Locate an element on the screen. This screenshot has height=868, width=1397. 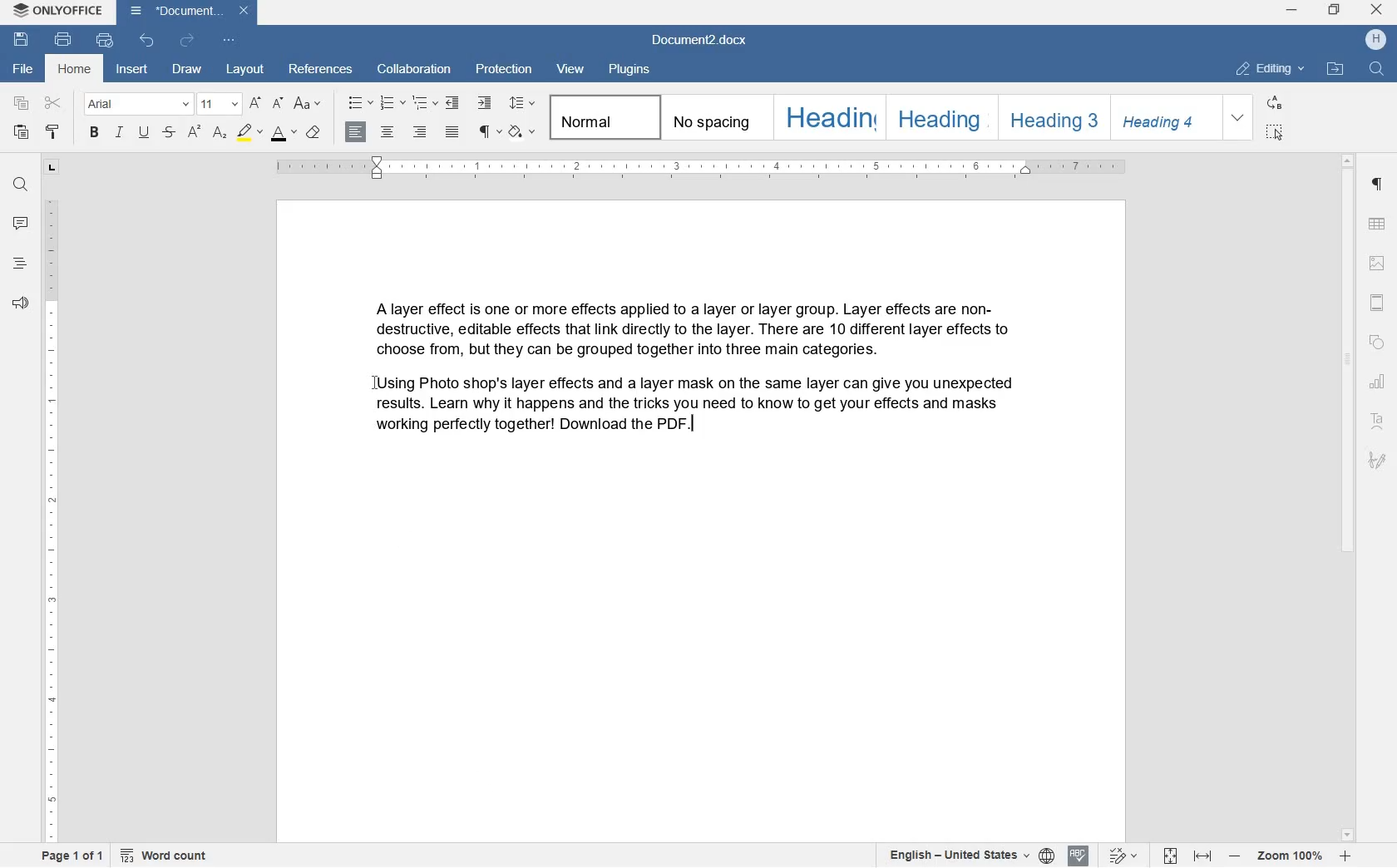
BULLETS is located at coordinates (359, 102).